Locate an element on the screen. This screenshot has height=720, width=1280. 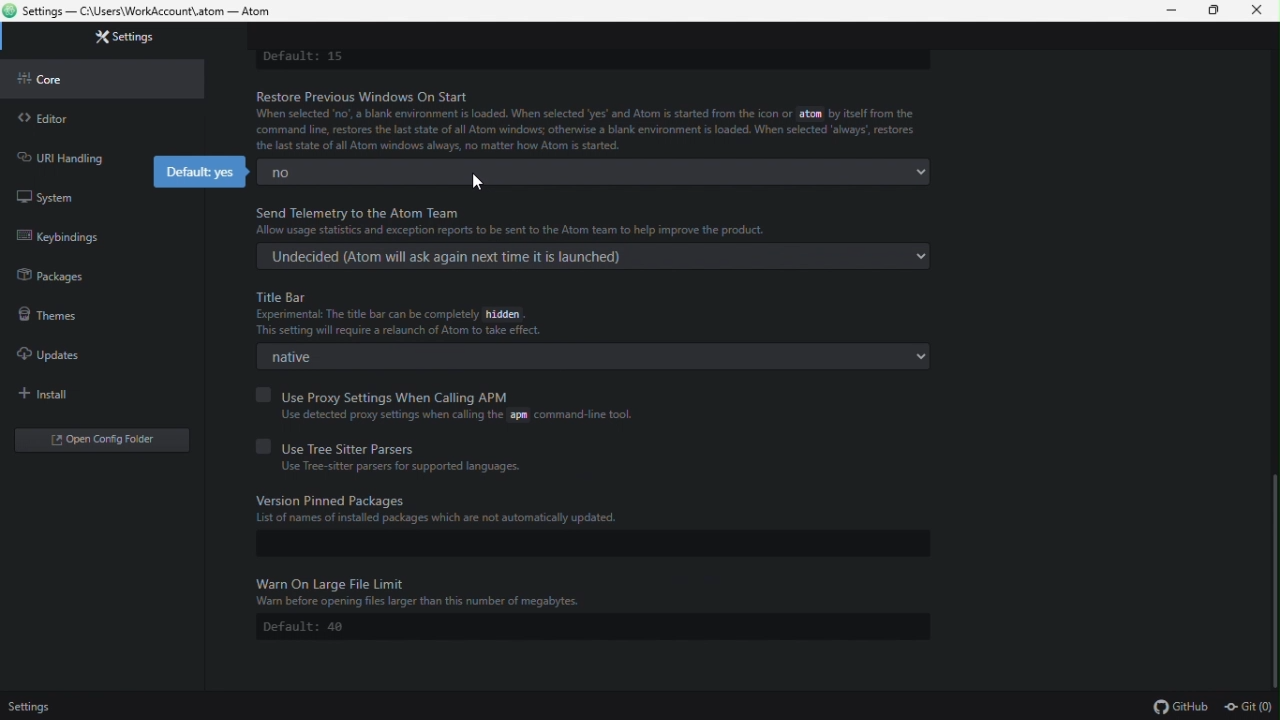
Settings - C:\users\work\account\atom - Atom is located at coordinates (162, 11).